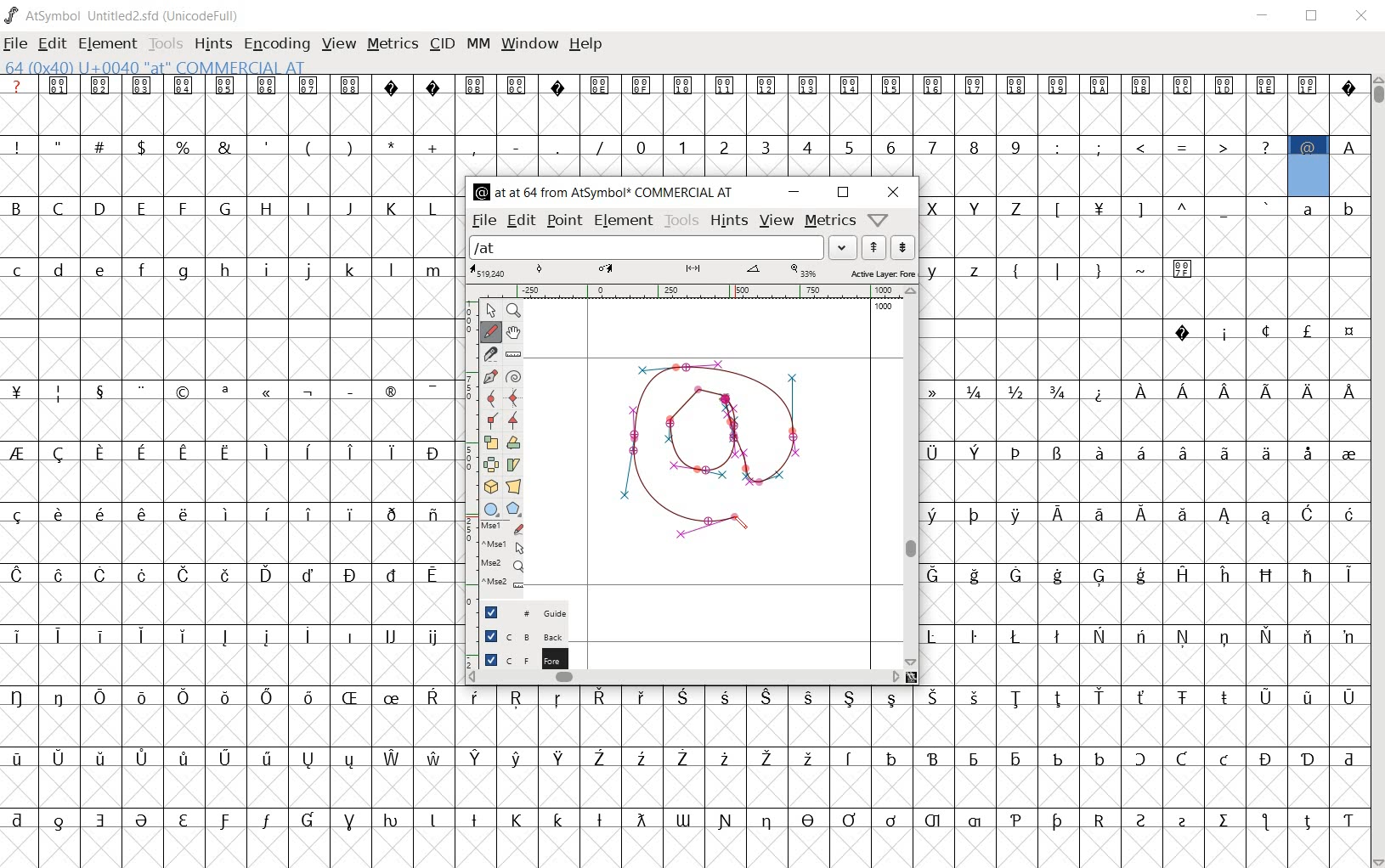  Describe the element at coordinates (1314, 19) in the screenshot. I see `RESTORE DOWN` at that location.